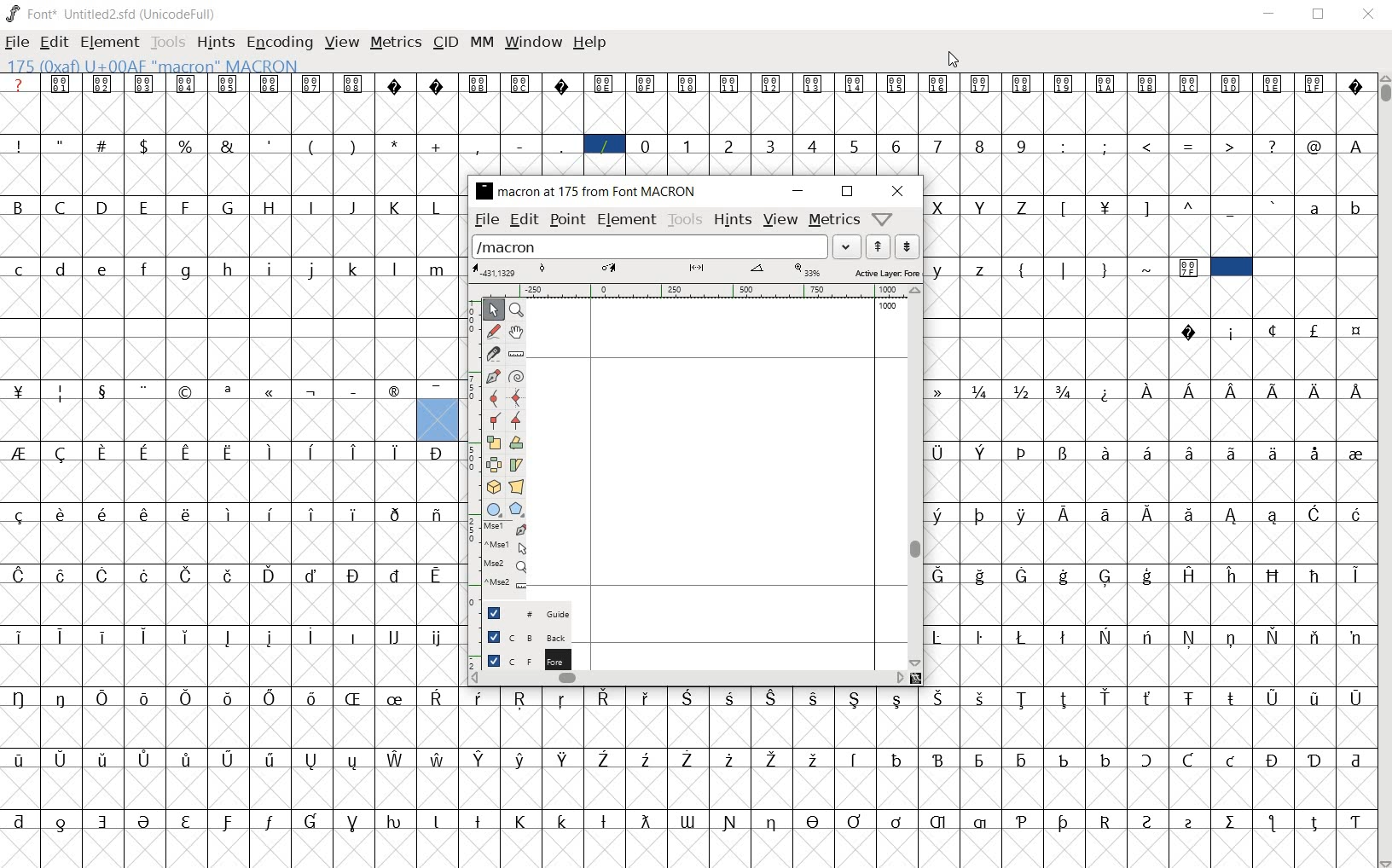  Describe the element at coordinates (982, 146) in the screenshot. I see `8` at that location.